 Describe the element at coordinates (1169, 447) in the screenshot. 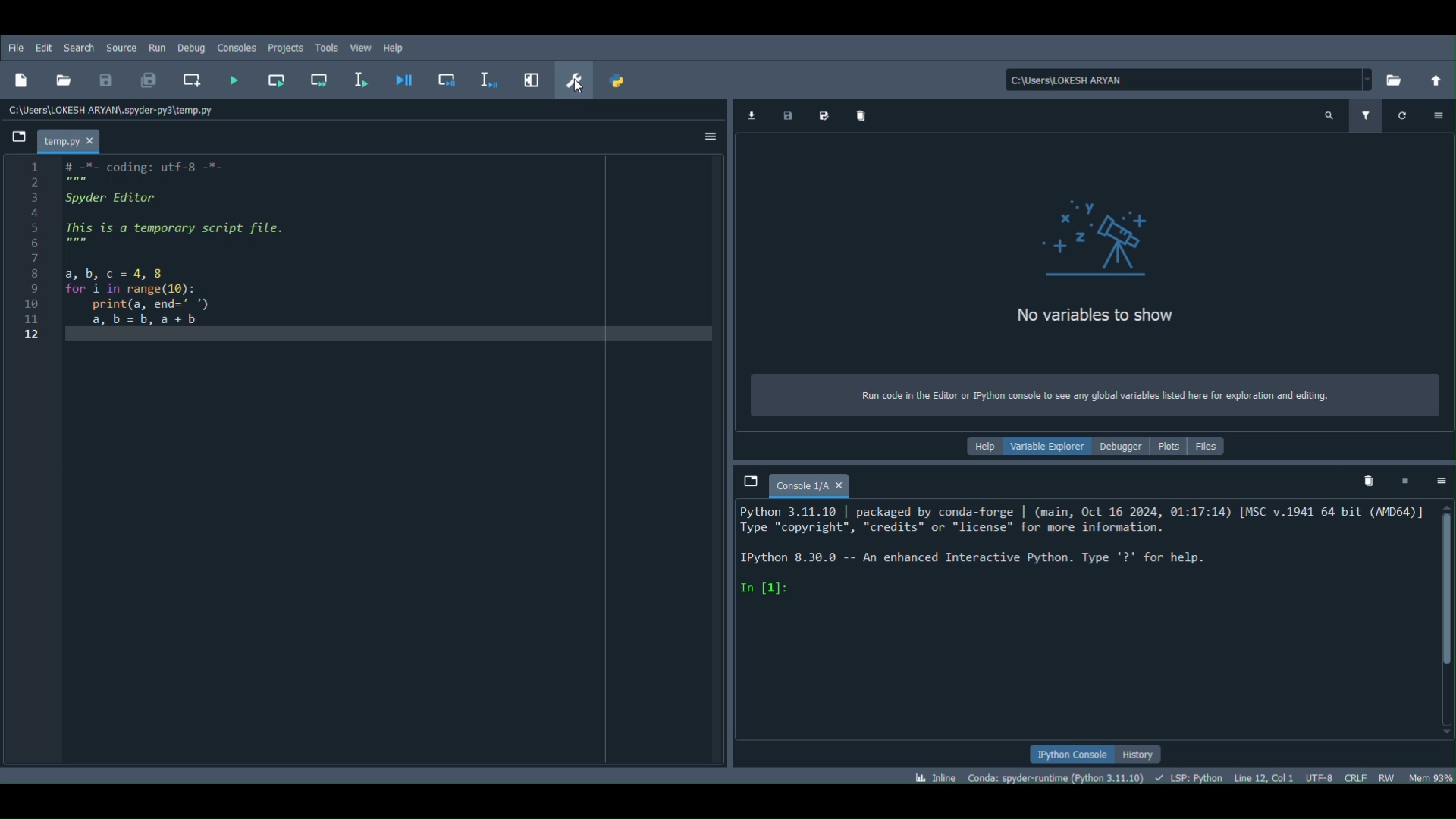

I see `Plots` at that location.